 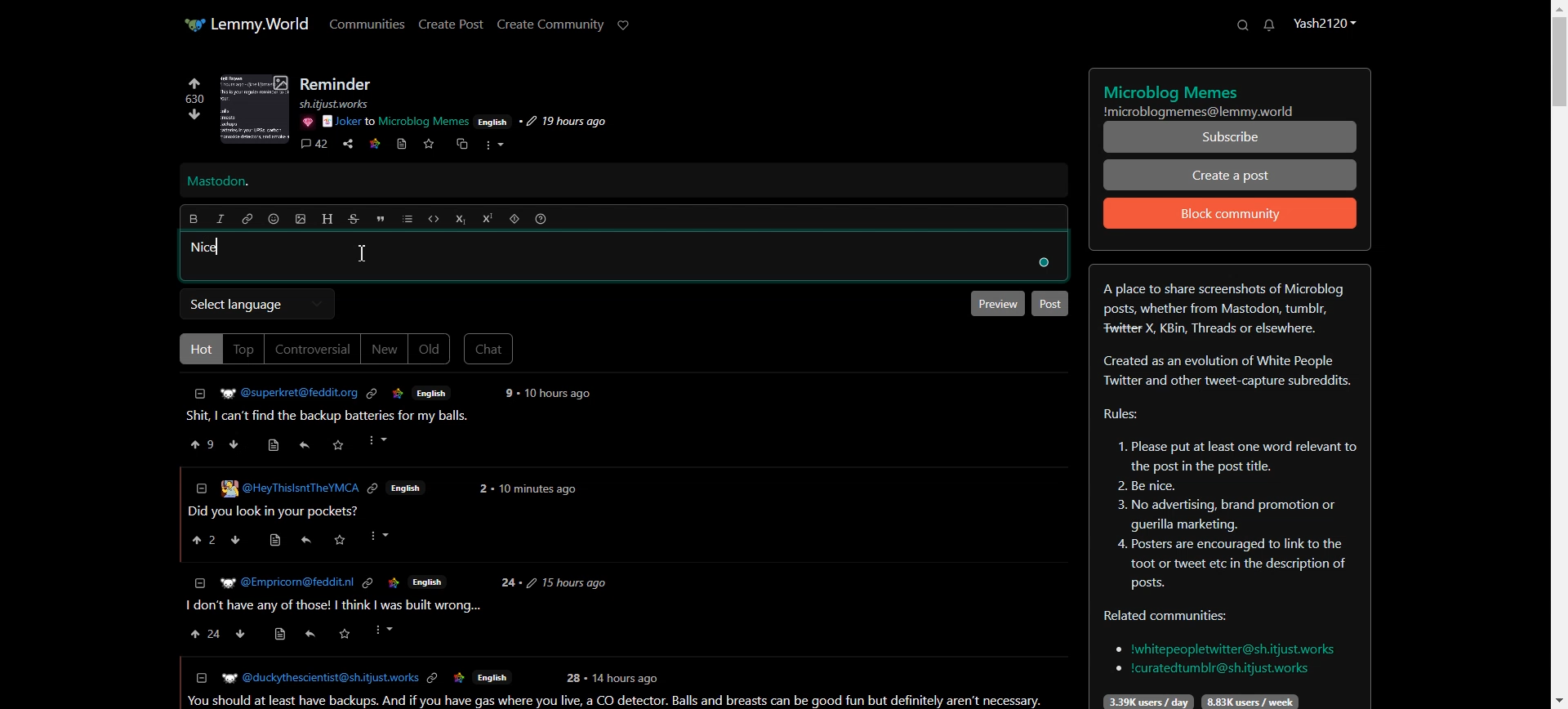 What do you see at coordinates (459, 679) in the screenshot?
I see `` at bounding box center [459, 679].